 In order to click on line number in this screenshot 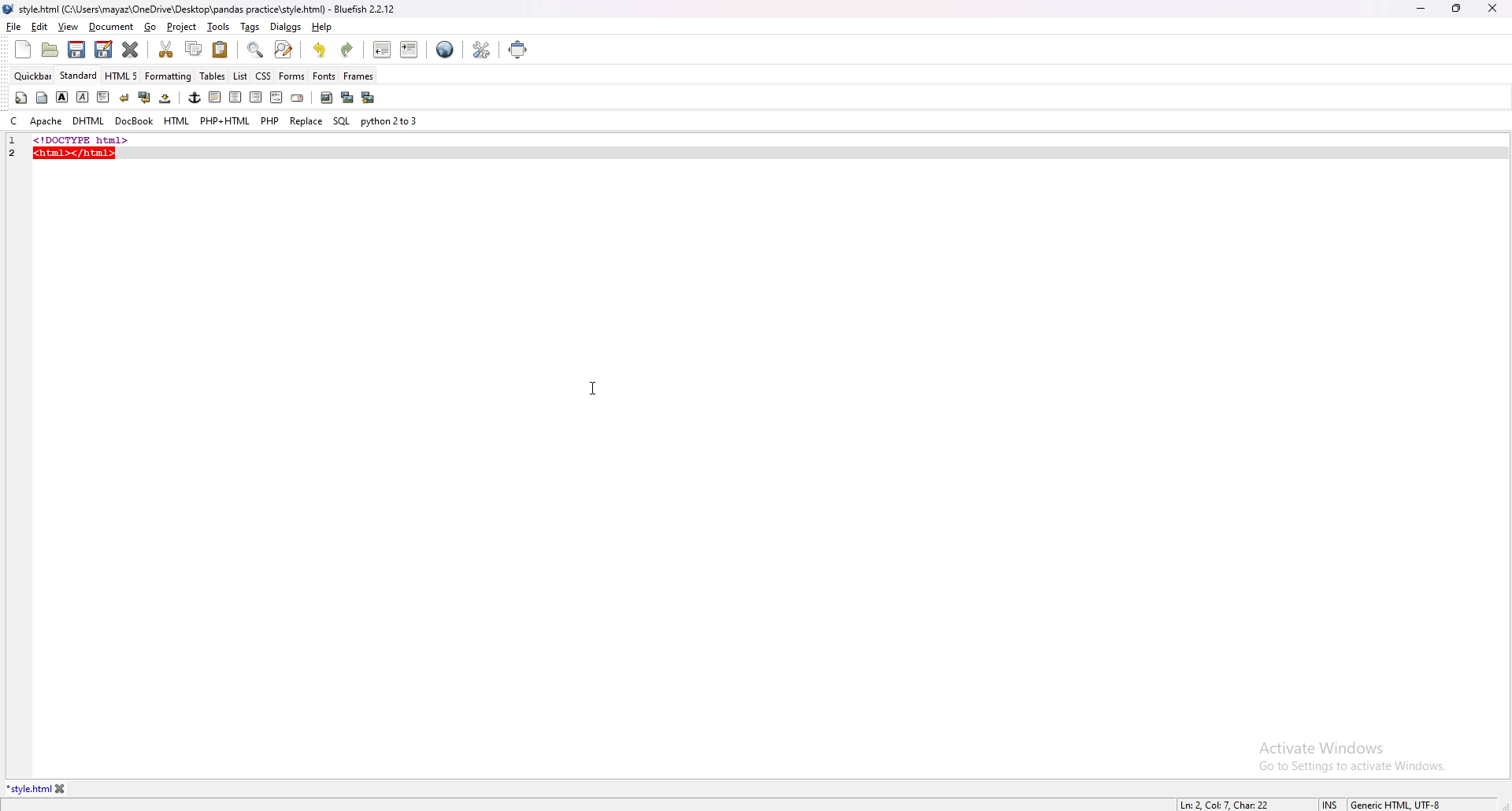, I will do `click(18, 152)`.